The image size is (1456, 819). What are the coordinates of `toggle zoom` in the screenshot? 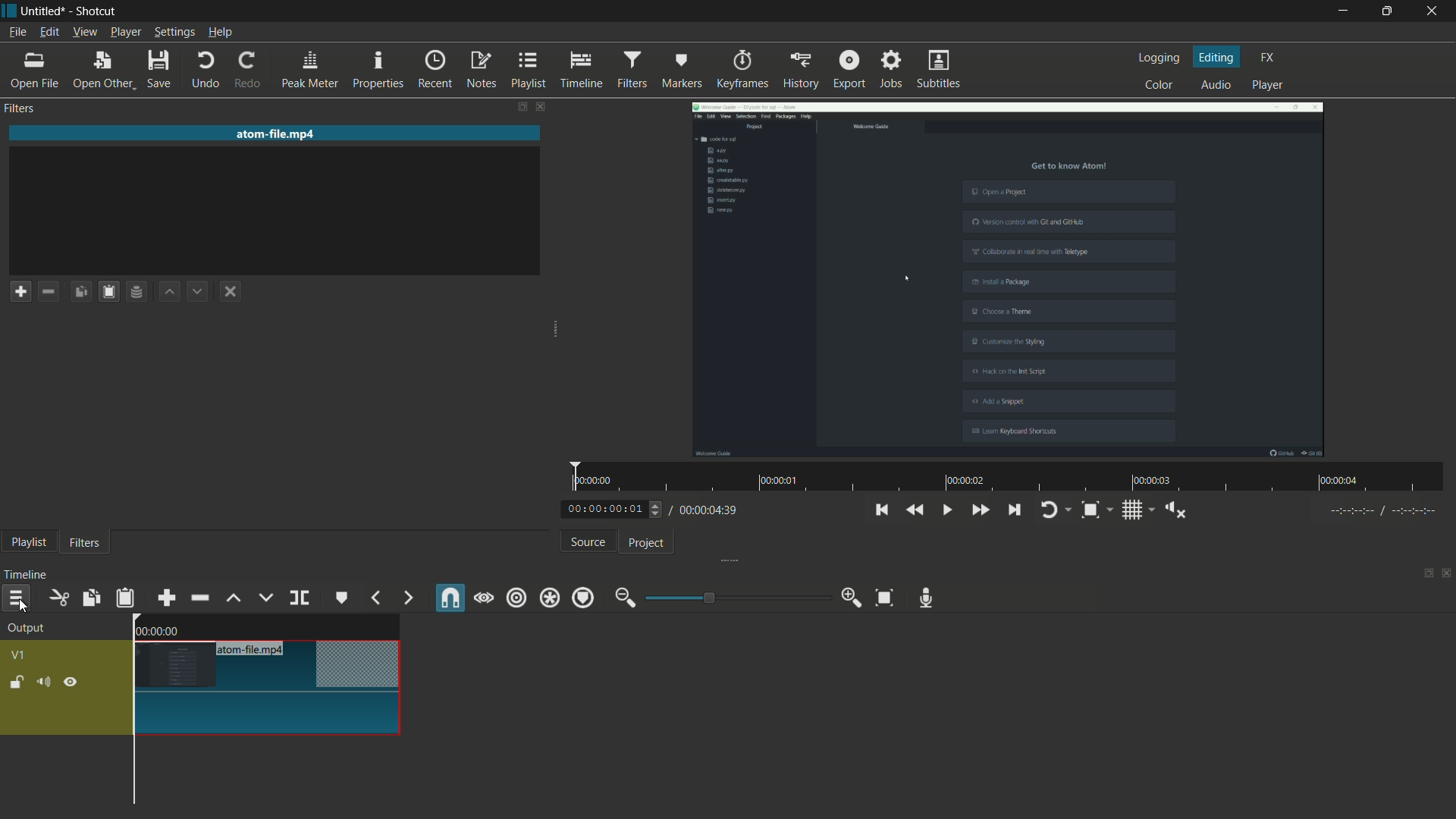 It's located at (1090, 510).